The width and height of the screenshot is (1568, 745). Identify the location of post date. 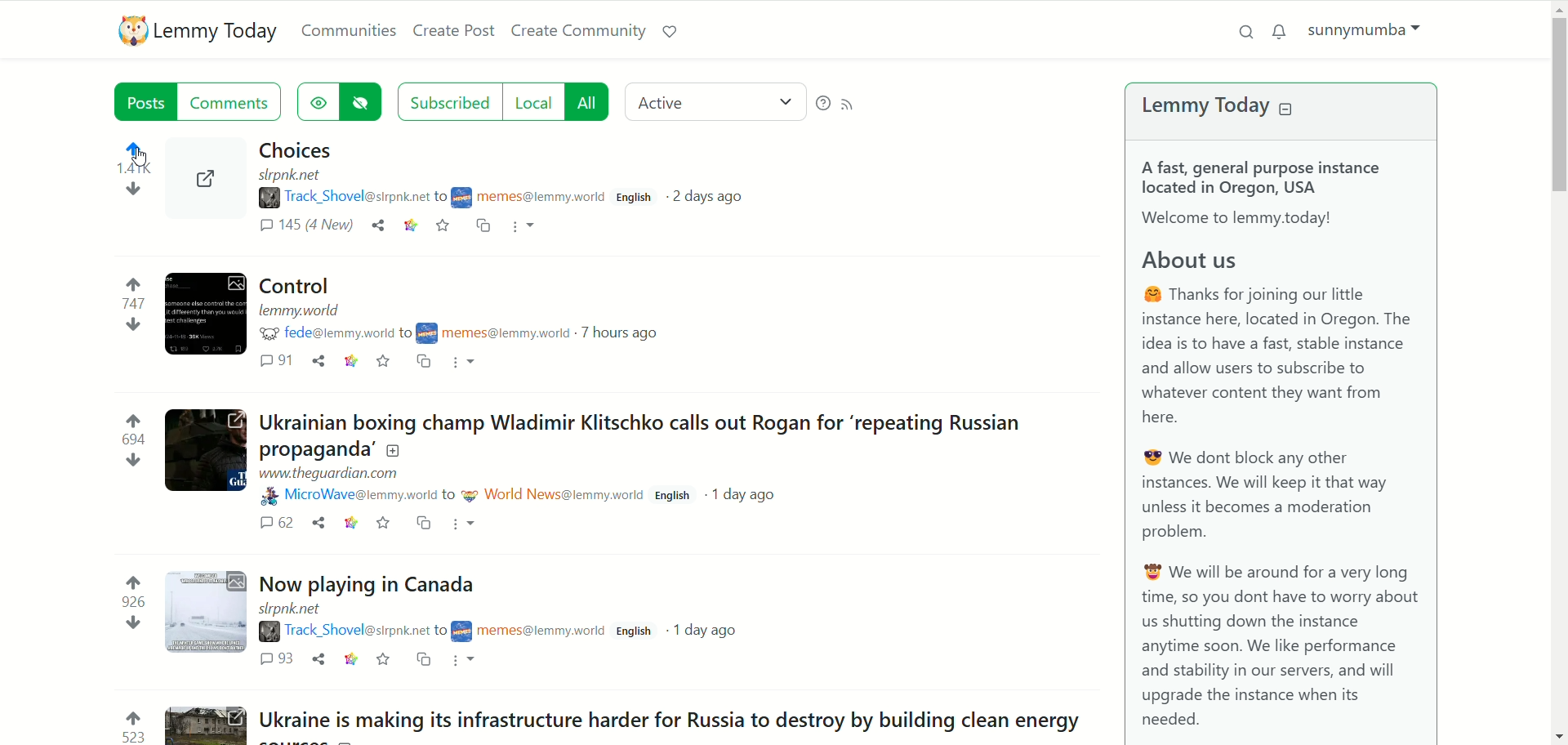
(708, 198).